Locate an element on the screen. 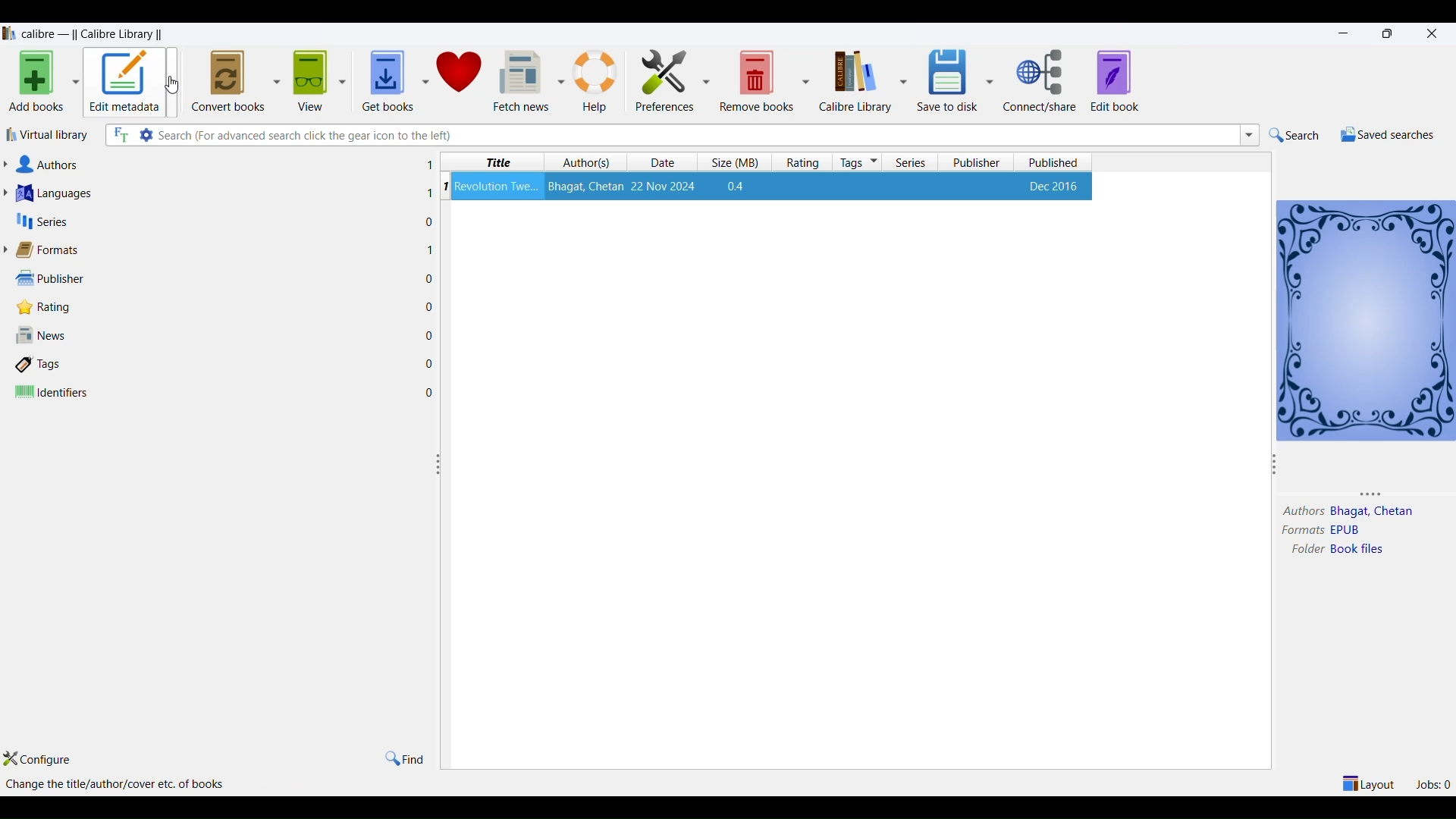 The image size is (1456, 819). donate to calibre is located at coordinates (463, 76).